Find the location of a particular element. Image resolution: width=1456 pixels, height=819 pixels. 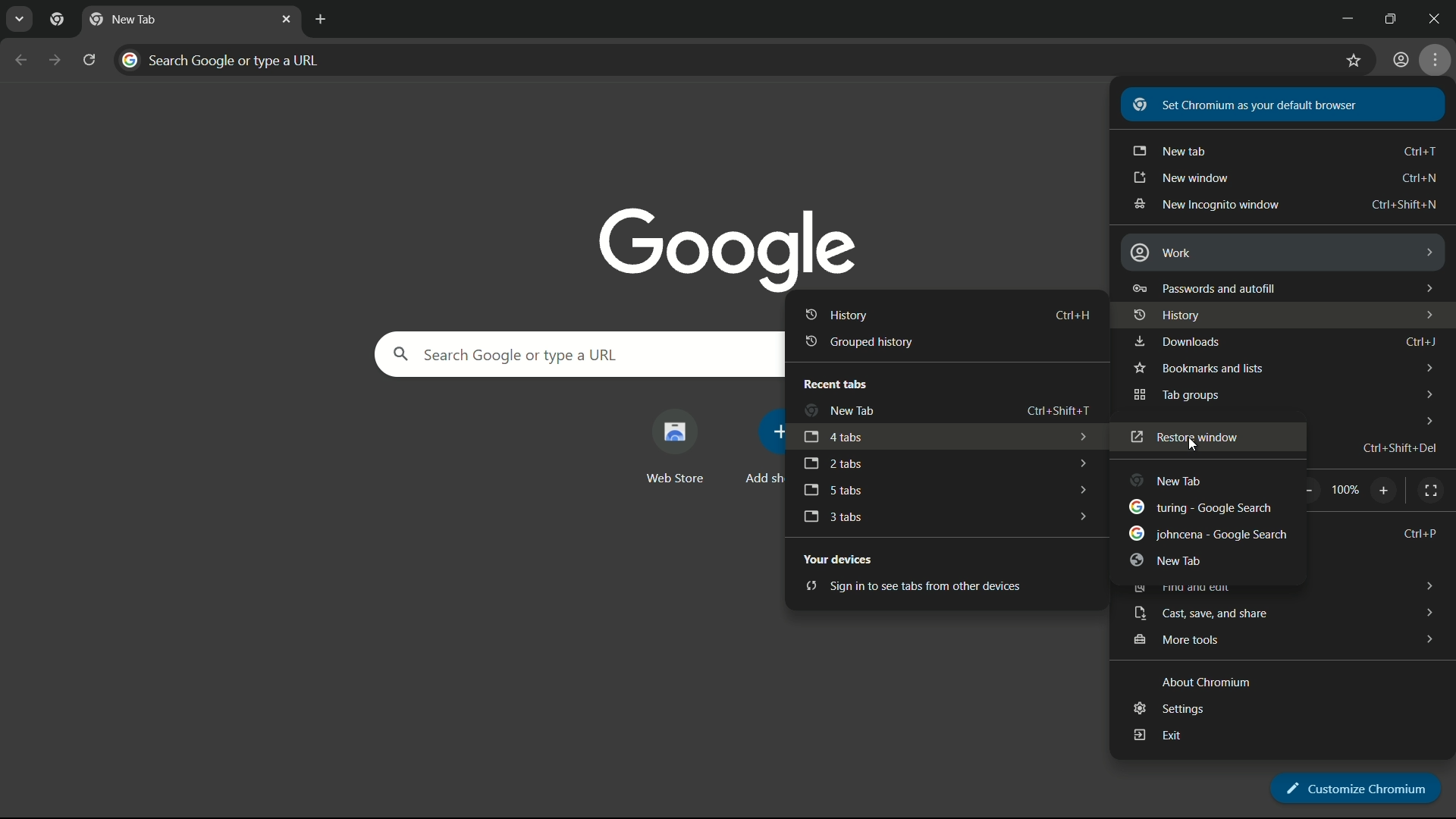

johncena - google search is located at coordinates (1209, 535).